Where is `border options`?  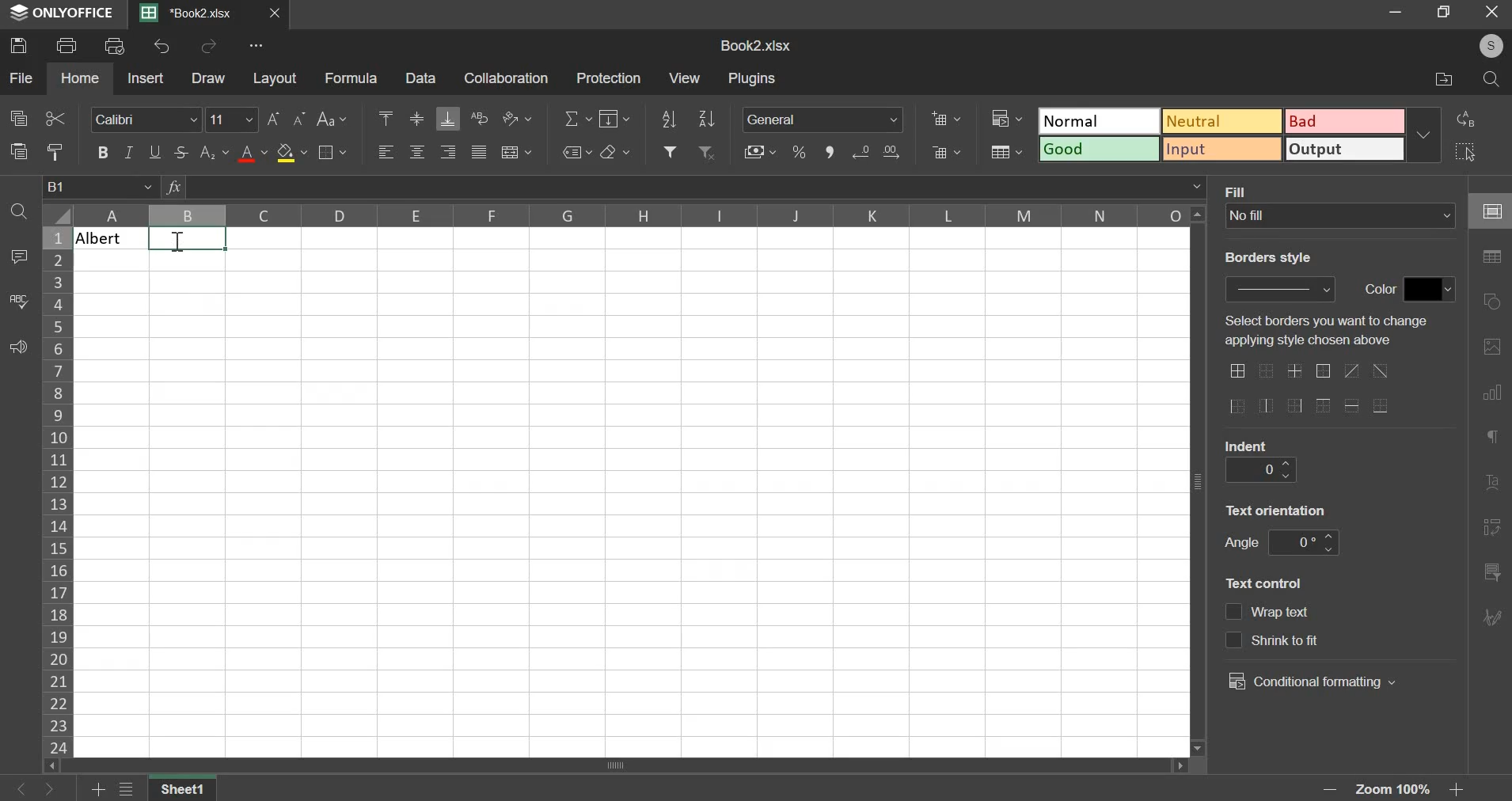 border options is located at coordinates (1313, 390).